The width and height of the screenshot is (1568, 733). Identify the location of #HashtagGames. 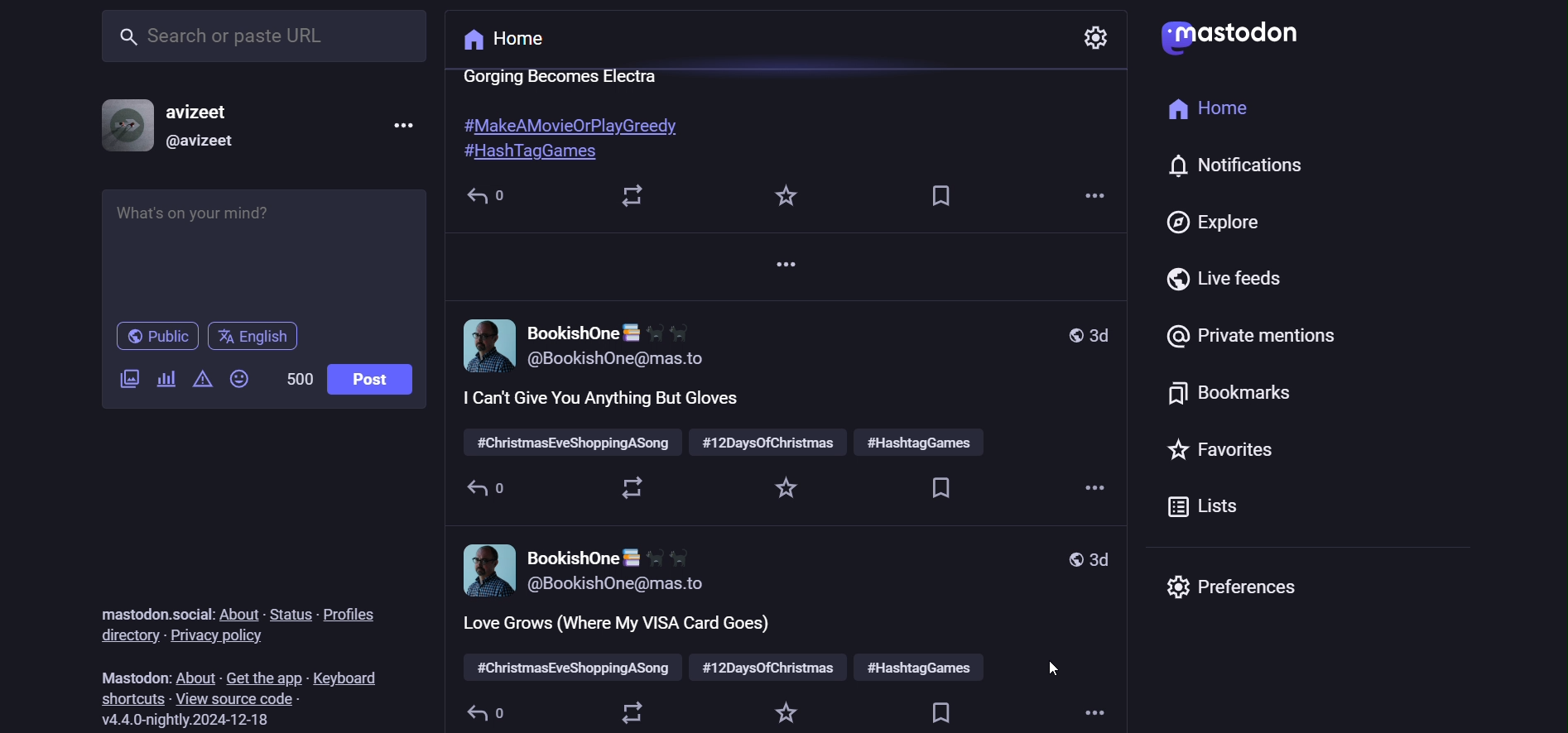
(919, 669).